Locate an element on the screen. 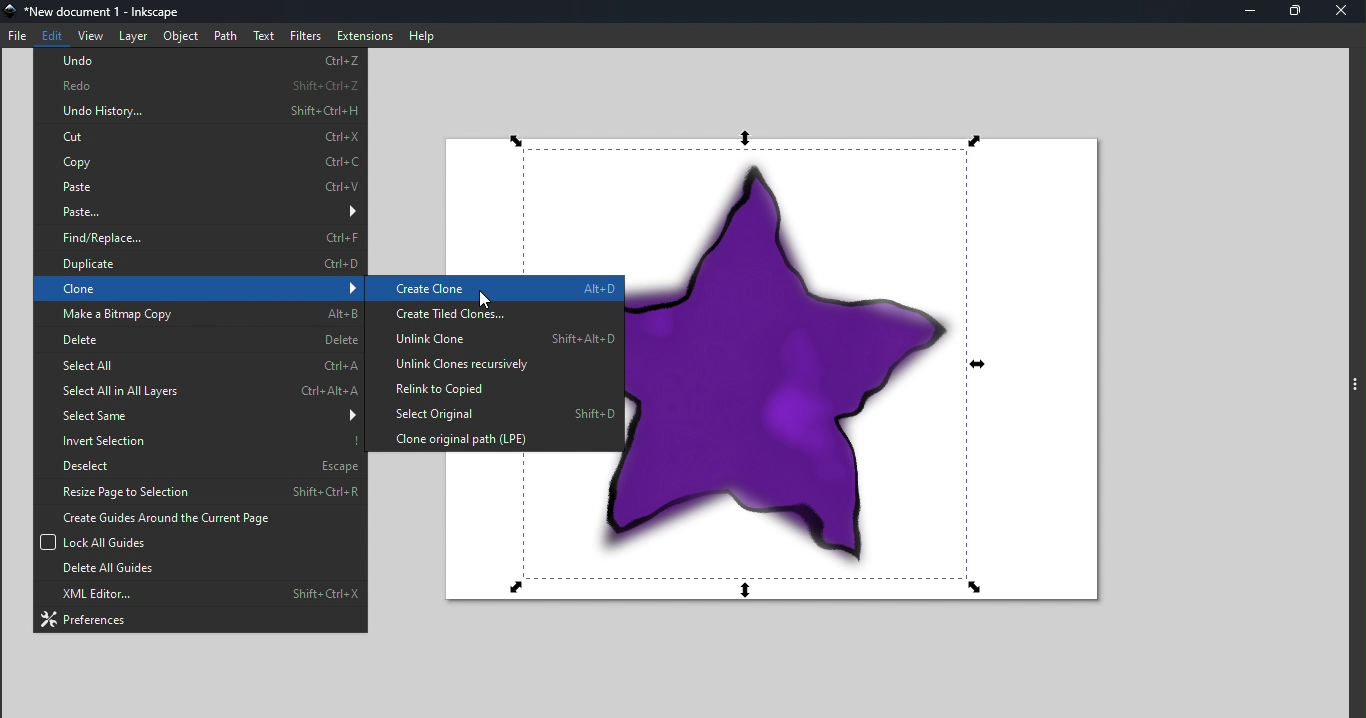 The image size is (1366, 718). Create tiled clones is located at coordinates (494, 314).